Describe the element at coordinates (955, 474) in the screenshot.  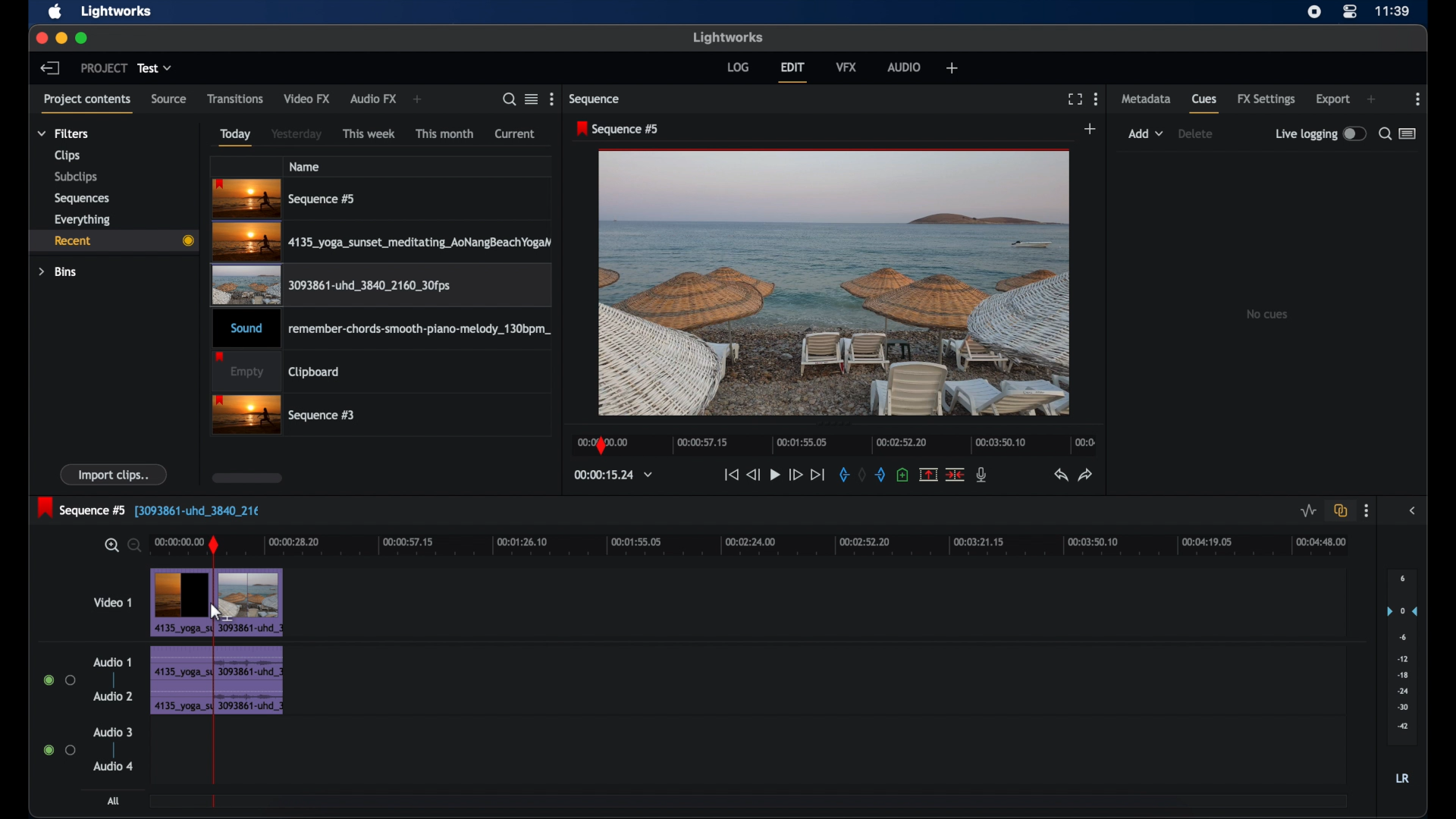
I see `cut` at that location.